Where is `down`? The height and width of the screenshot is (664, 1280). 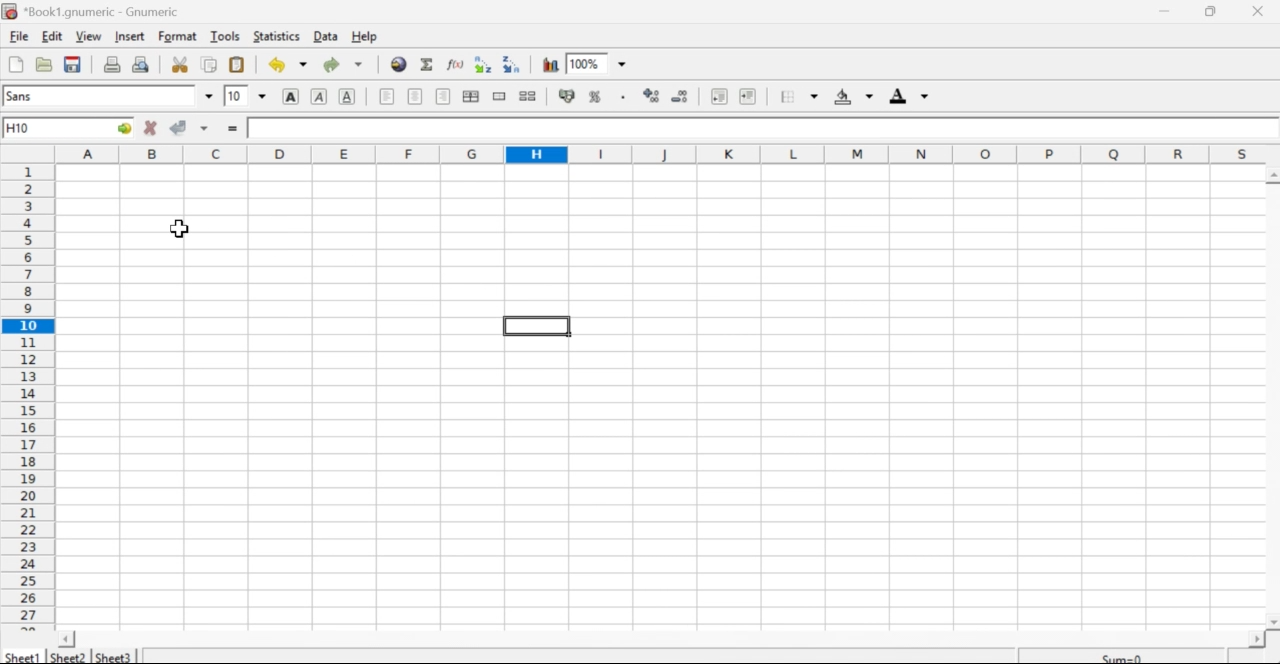 down is located at coordinates (208, 127).